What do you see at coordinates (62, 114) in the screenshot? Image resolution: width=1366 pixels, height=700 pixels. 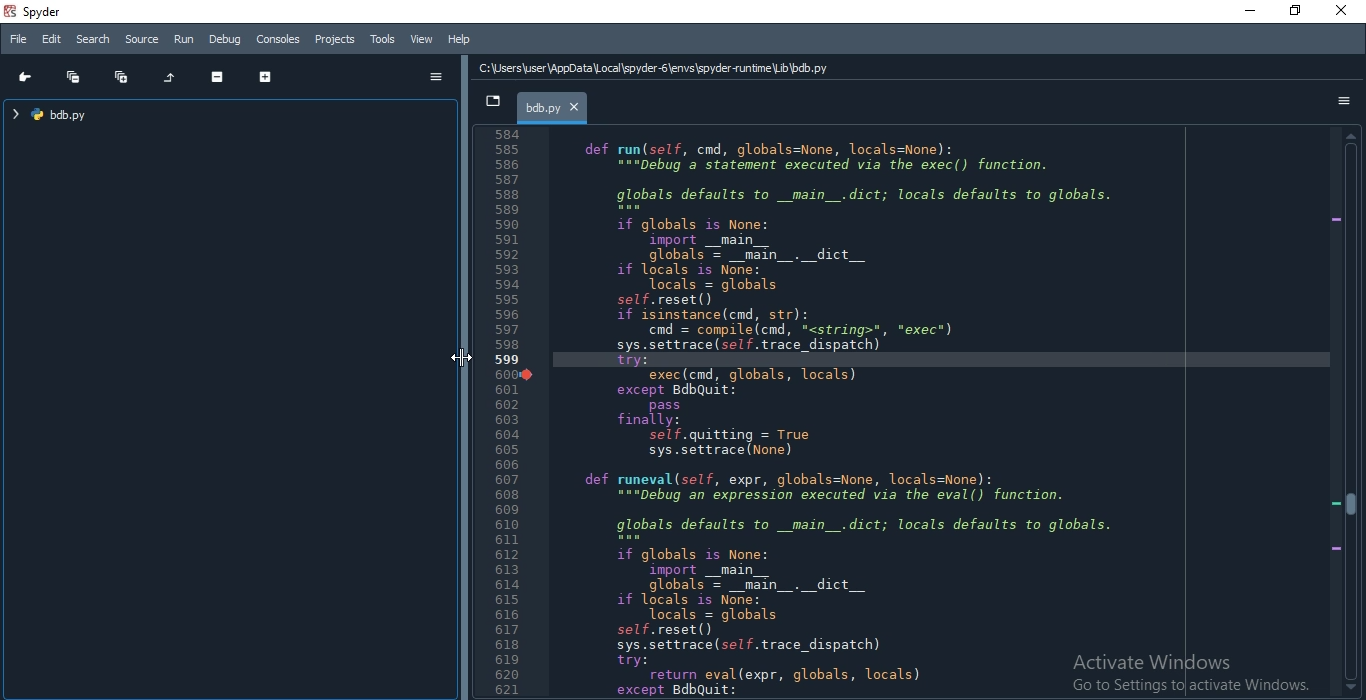 I see `file tree` at bounding box center [62, 114].